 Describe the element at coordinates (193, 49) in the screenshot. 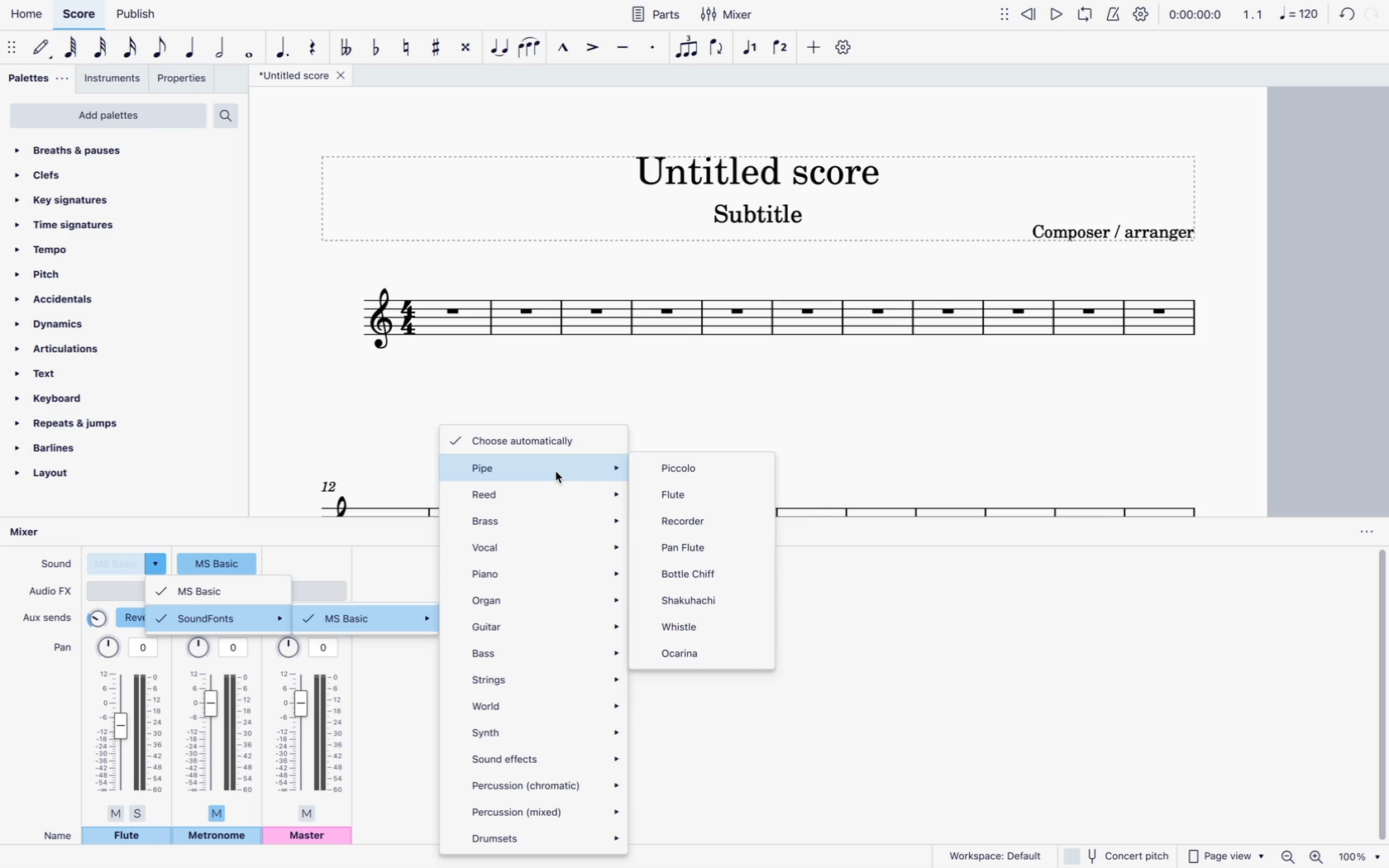

I see `quarter note` at that location.